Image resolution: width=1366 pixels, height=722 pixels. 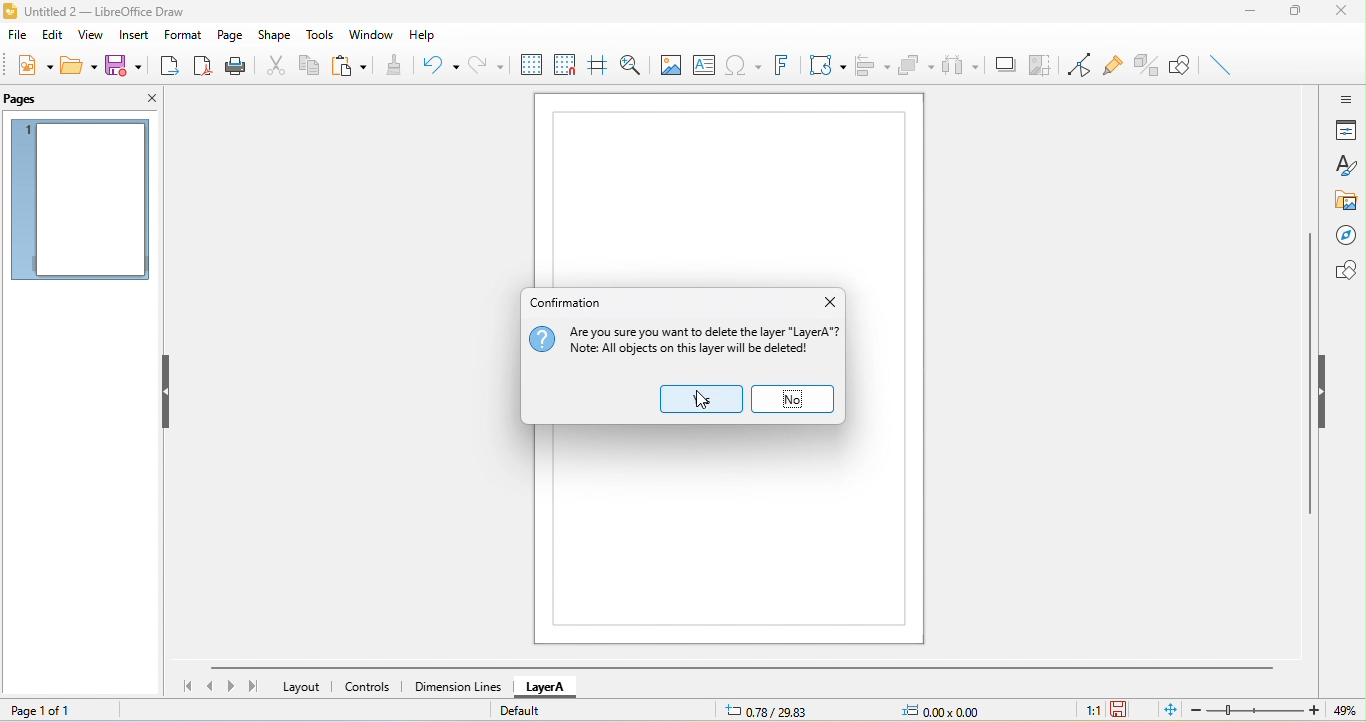 I want to click on fit to the current page, so click(x=1162, y=710).